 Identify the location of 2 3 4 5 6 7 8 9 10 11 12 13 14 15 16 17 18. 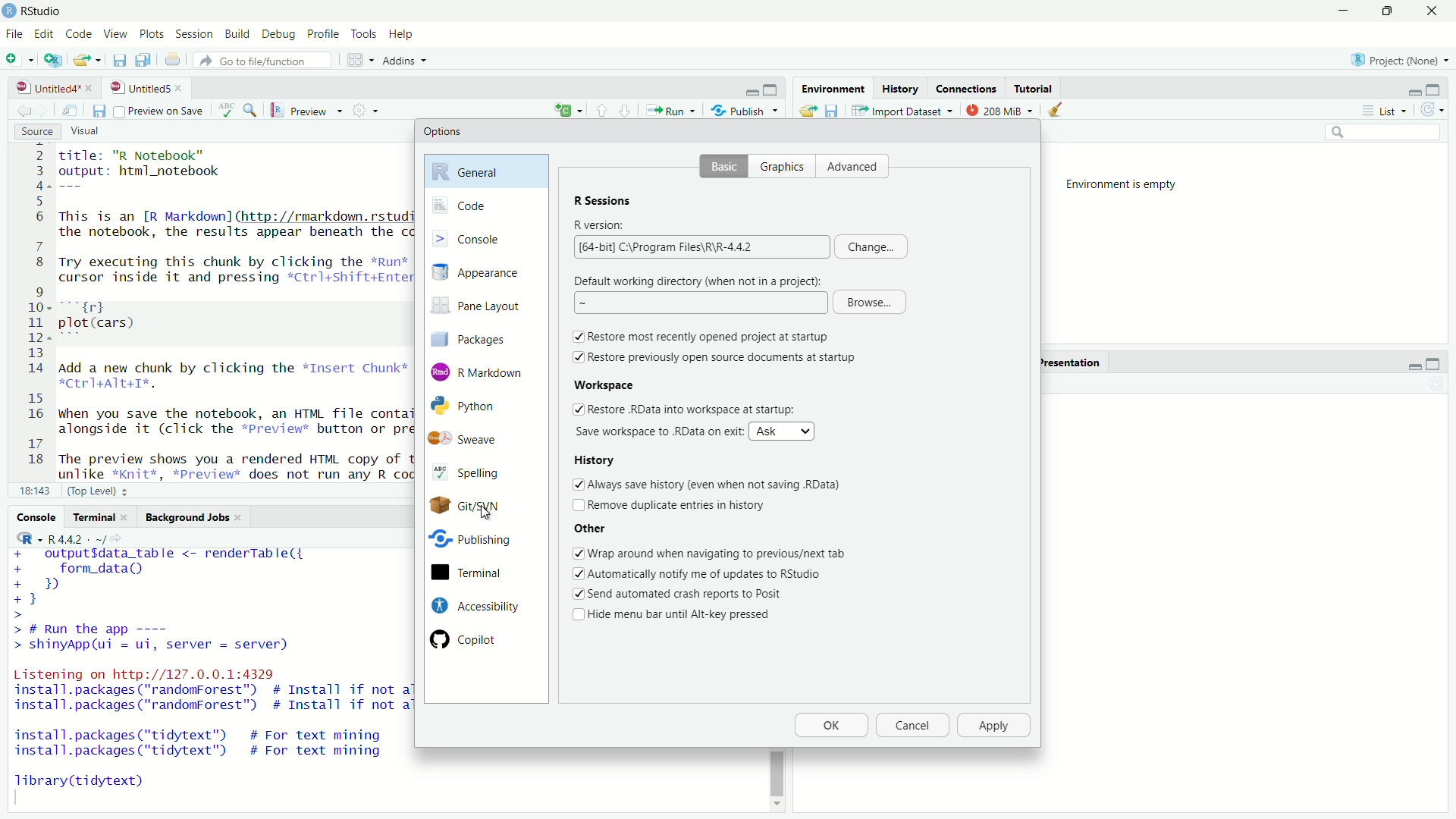
(32, 311).